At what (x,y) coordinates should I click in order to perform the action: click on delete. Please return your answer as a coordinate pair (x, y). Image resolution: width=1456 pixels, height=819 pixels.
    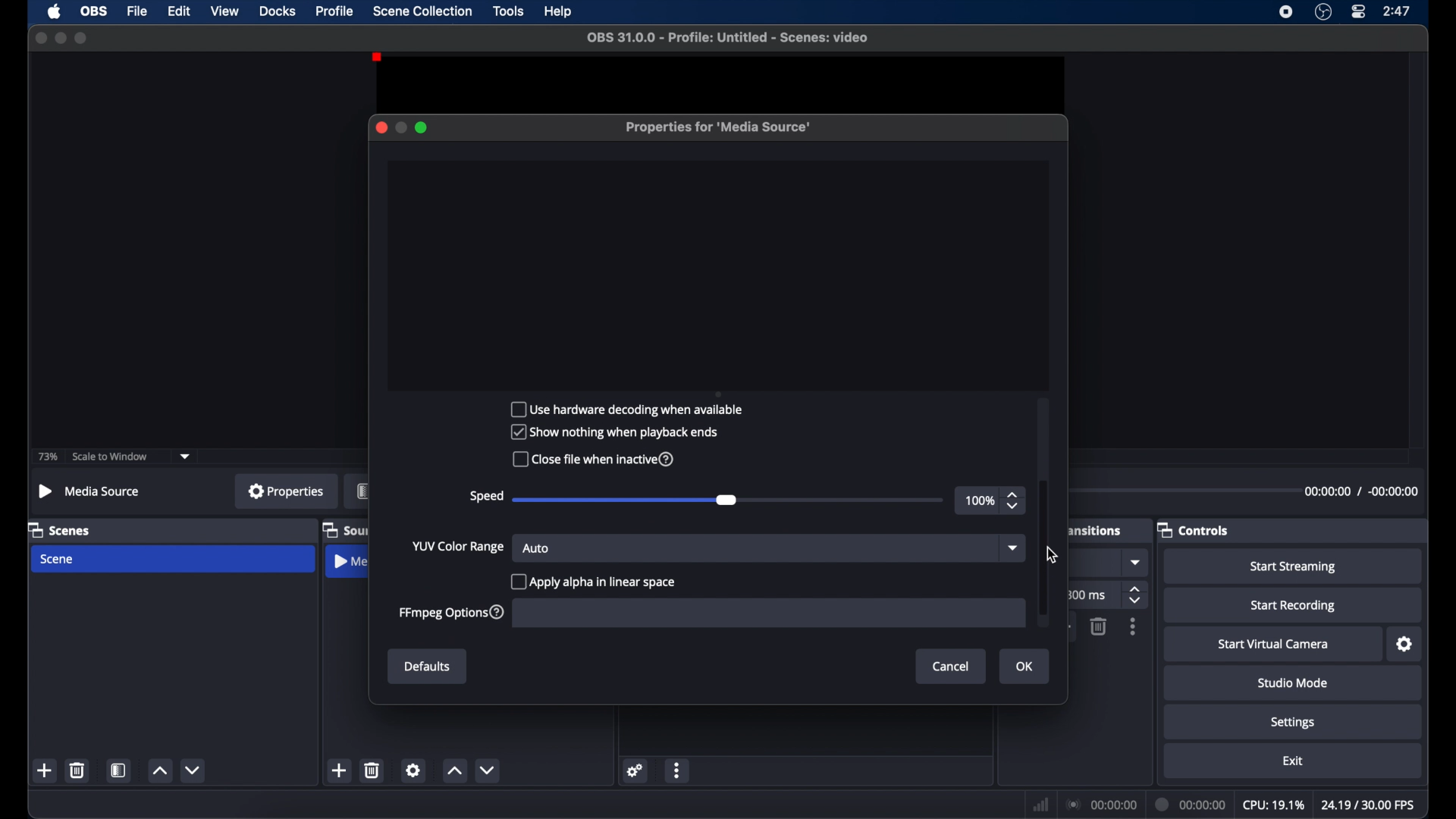
    Looking at the image, I should click on (77, 770).